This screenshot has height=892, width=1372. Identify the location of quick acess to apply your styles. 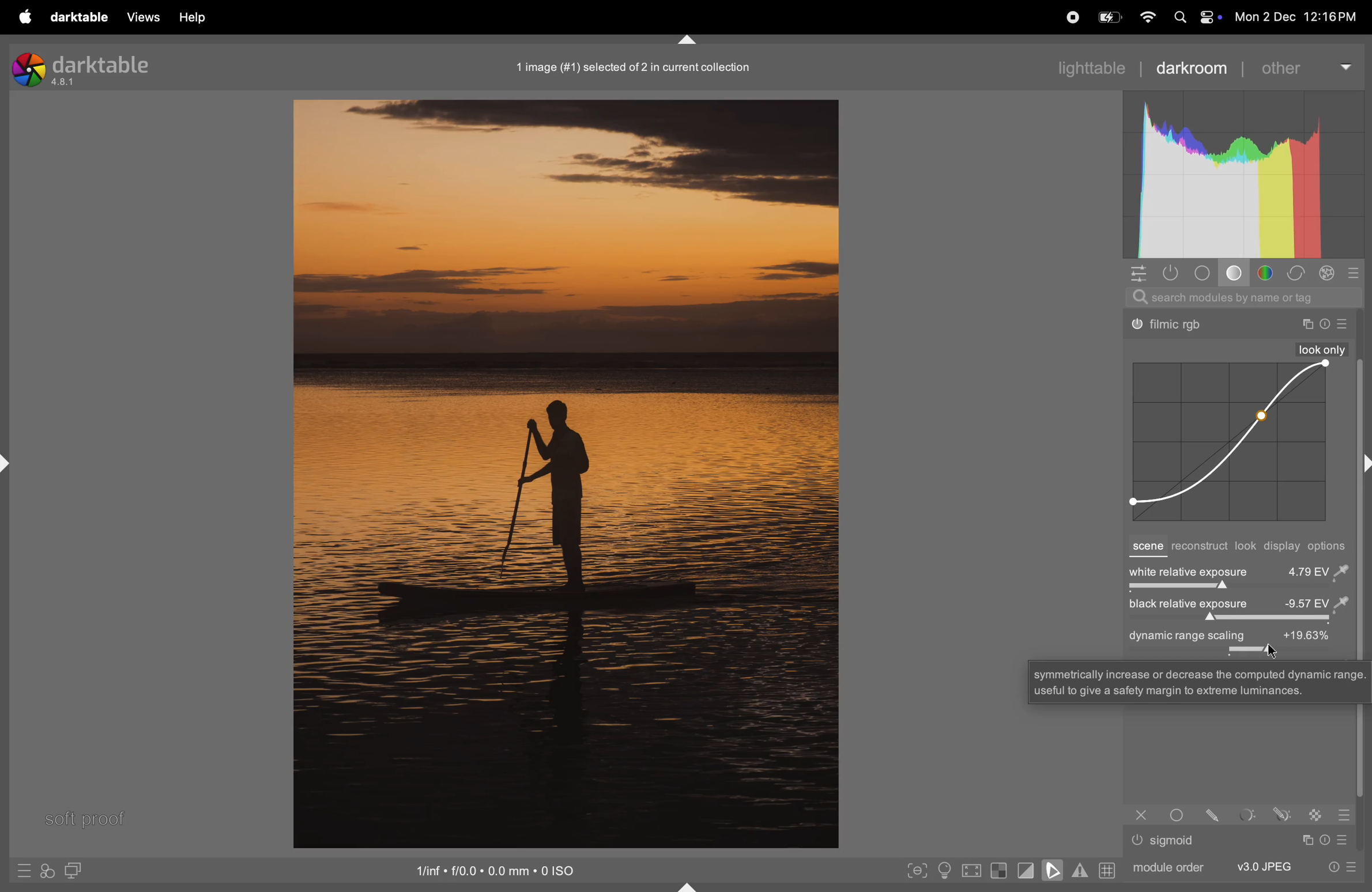
(46, 871).